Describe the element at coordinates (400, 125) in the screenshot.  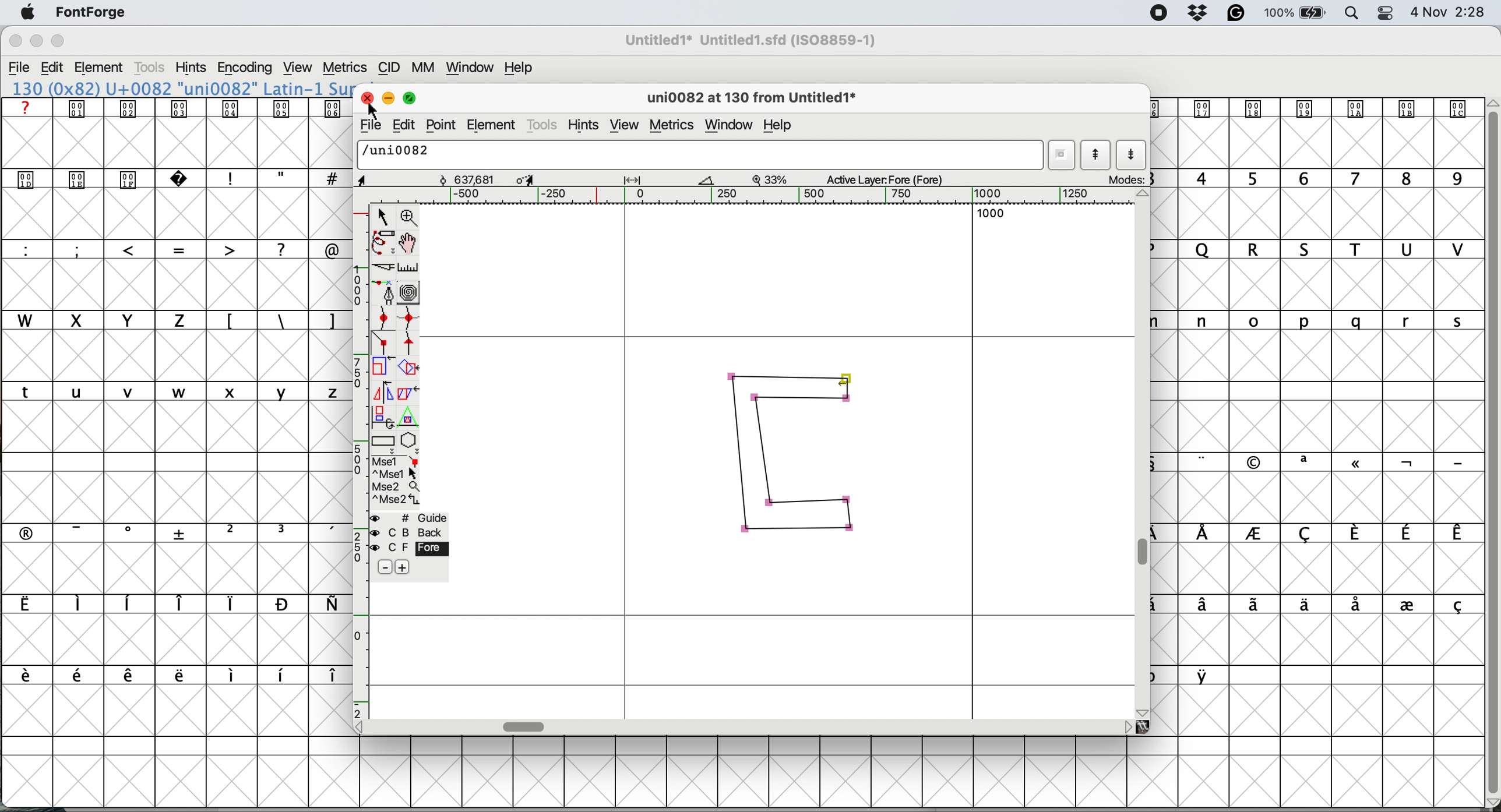
I see `edit` at that location.